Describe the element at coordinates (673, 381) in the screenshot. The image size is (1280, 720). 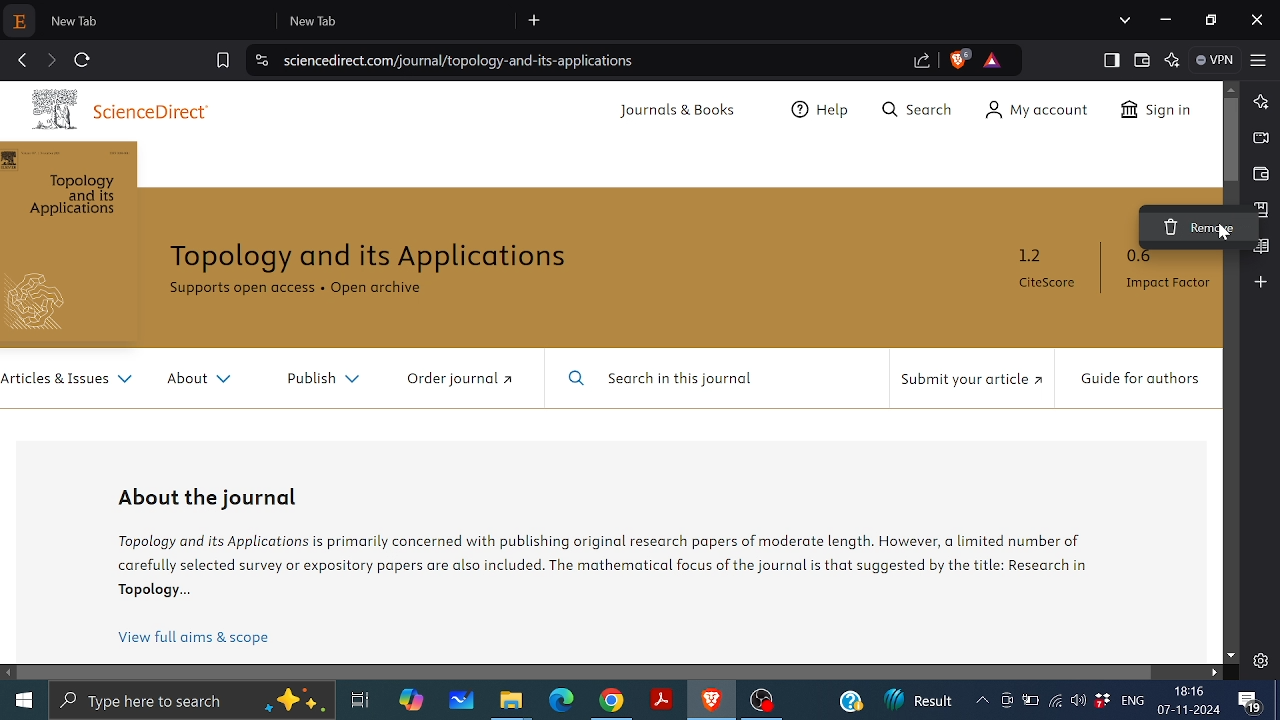
I see `Search in this journal` at that location.